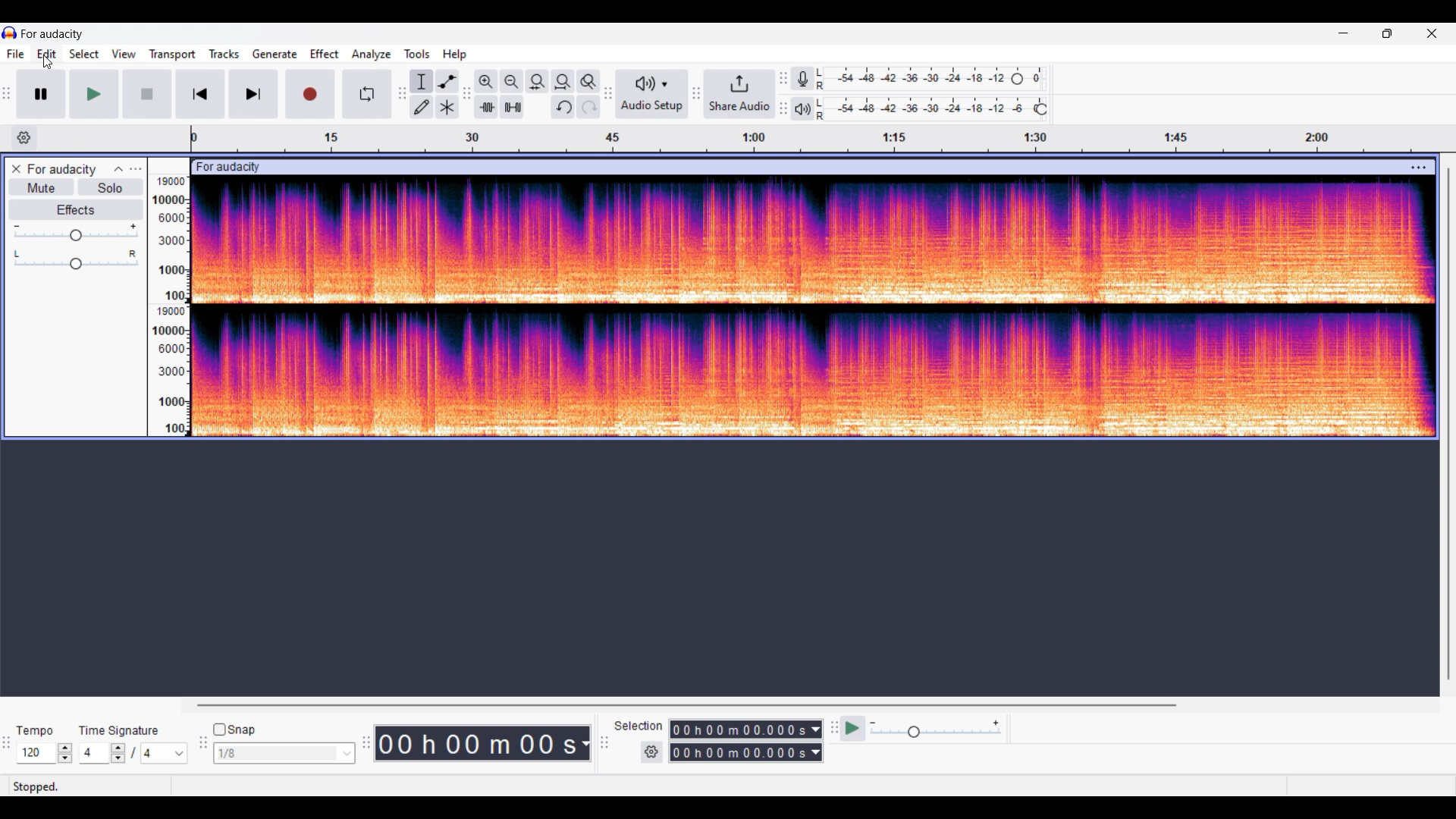 The height and width of the screenshot is (819, 1456). I want to click on Tracks menu, so click(224, 54).